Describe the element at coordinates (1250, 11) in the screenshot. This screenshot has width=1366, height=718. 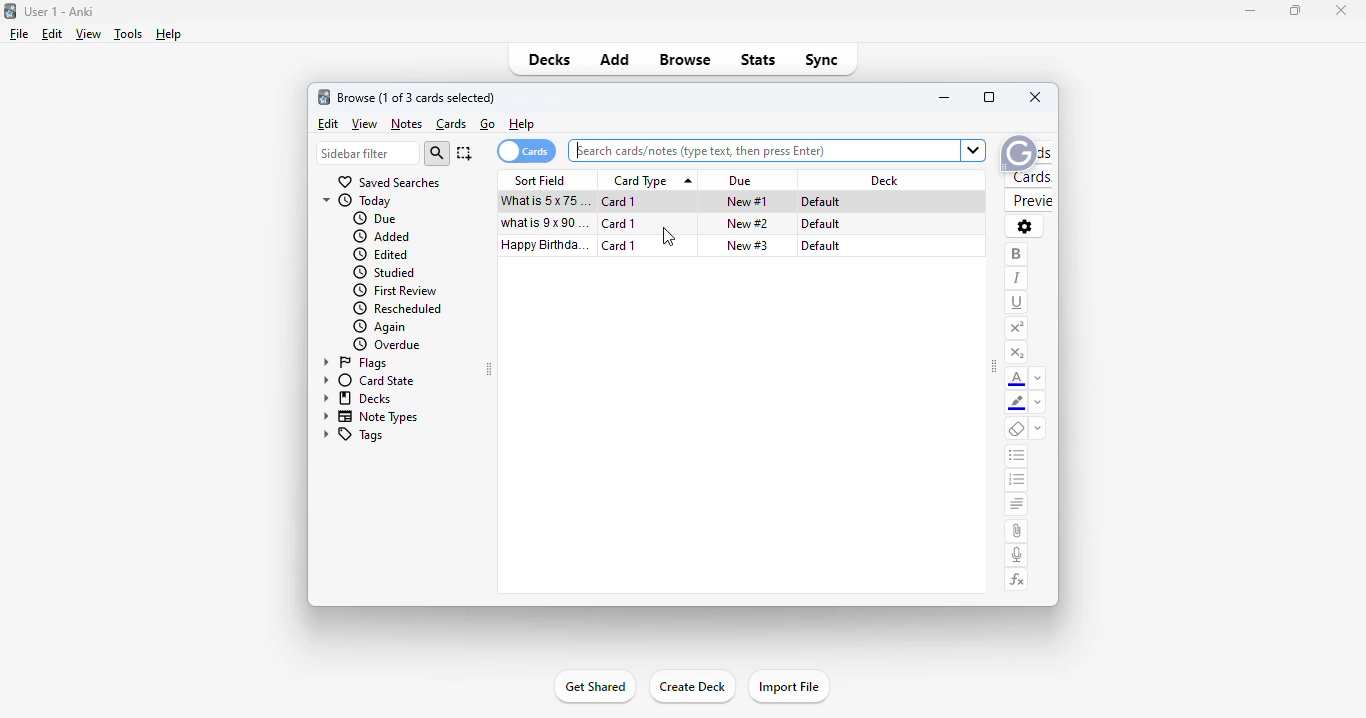
I see `minimize` at that location.